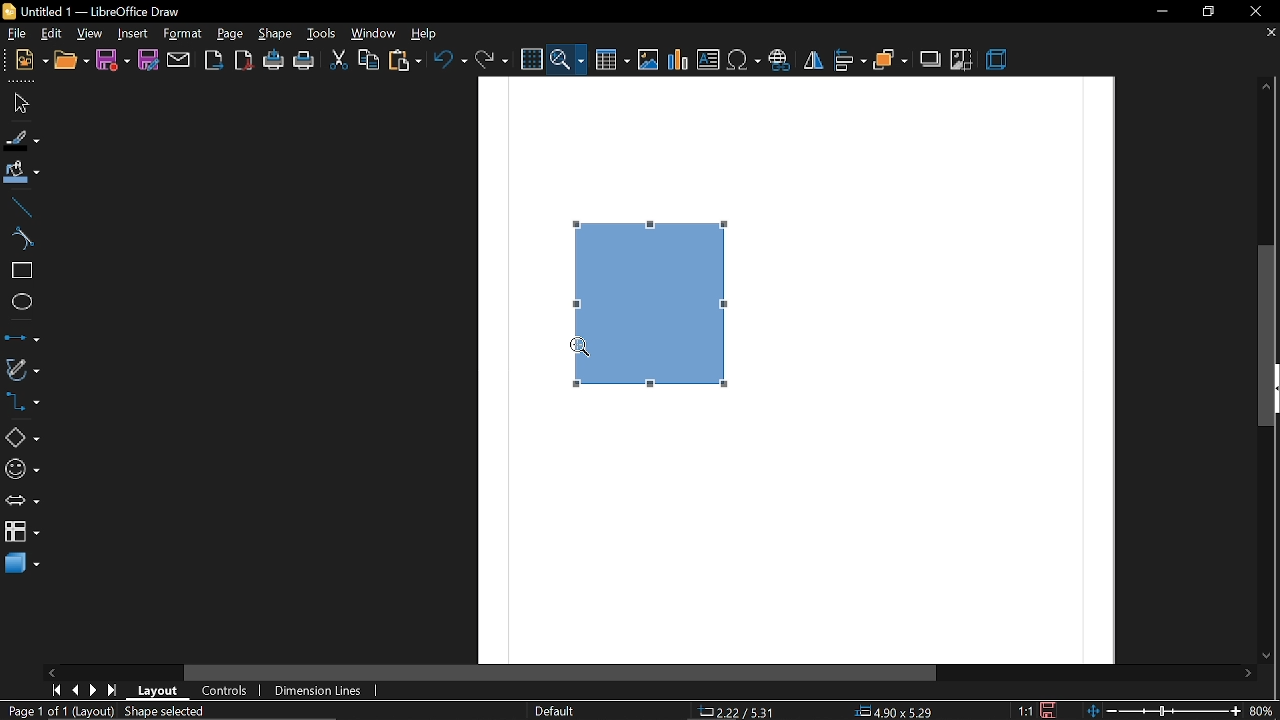 The image size is (1280, 720). I want to click on arrange, so click(890, 61).